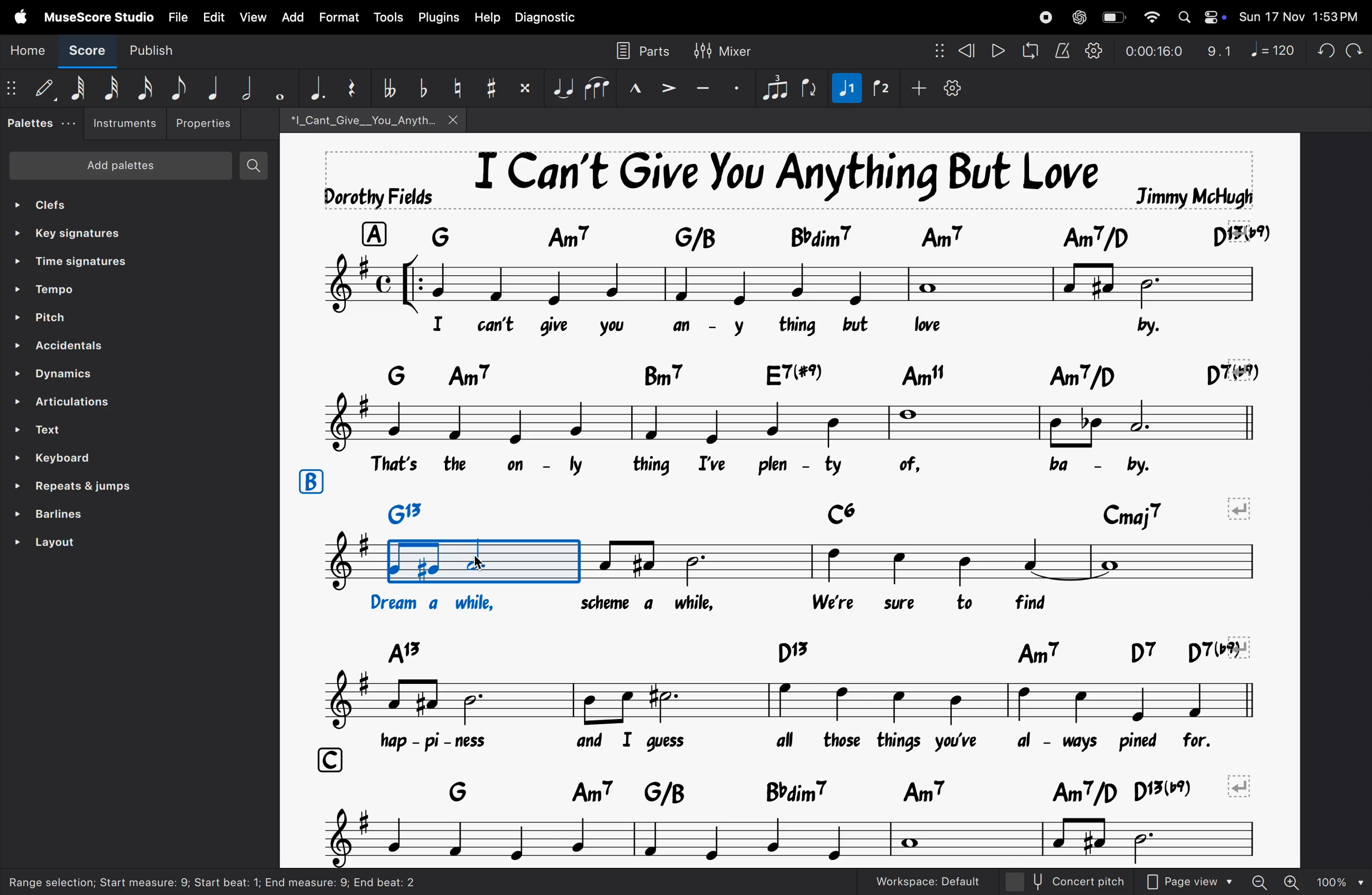 Image resolution: width=1372 pixels, height=895 pixels. Describe the element at coordinates (1322, 48) in the screenshot. I see `undo` at that location.